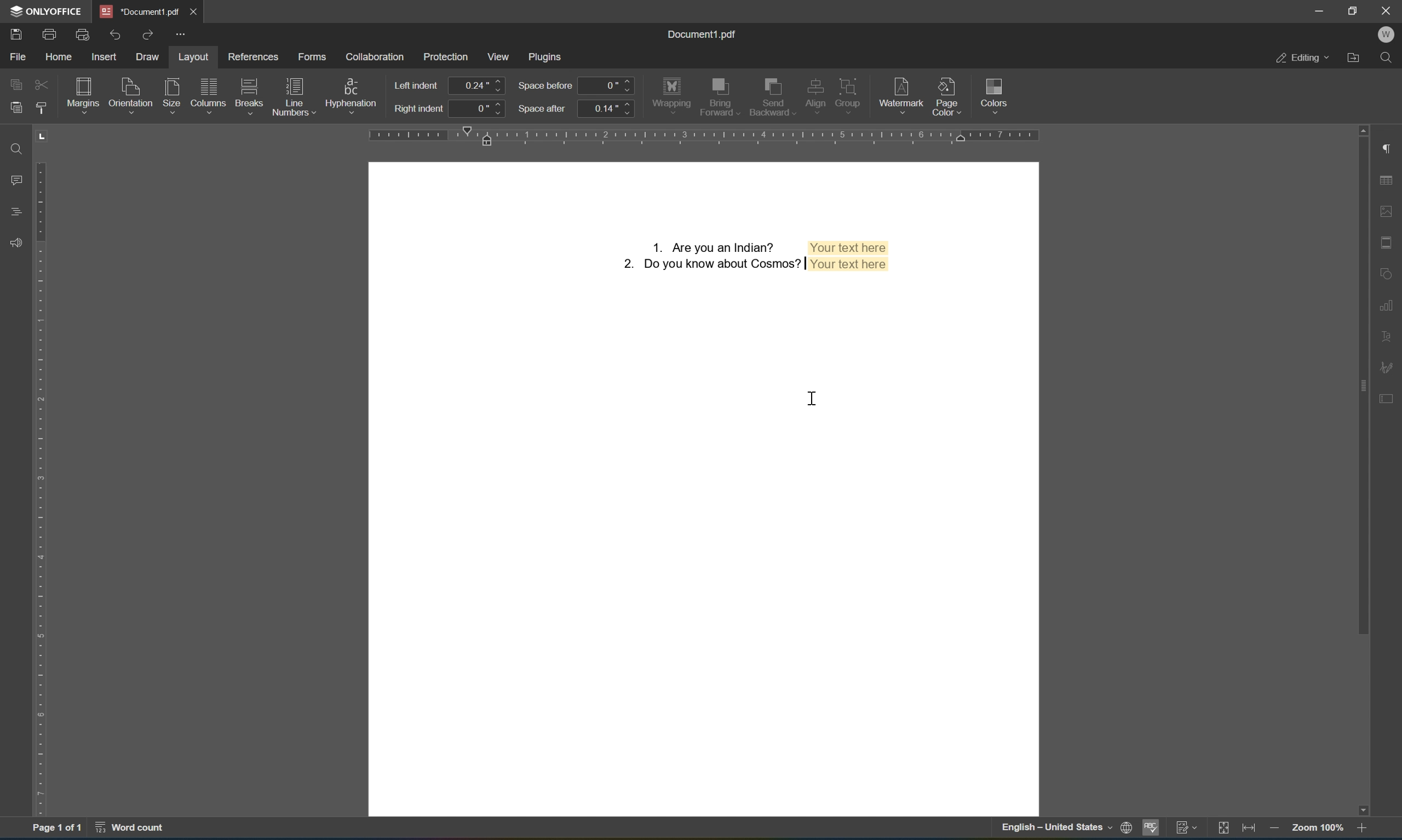 The height and width of the screenshot is (840, 1402). Describe the element at coordinates (145, 57) in the screenshot. I see `draw` at that location.